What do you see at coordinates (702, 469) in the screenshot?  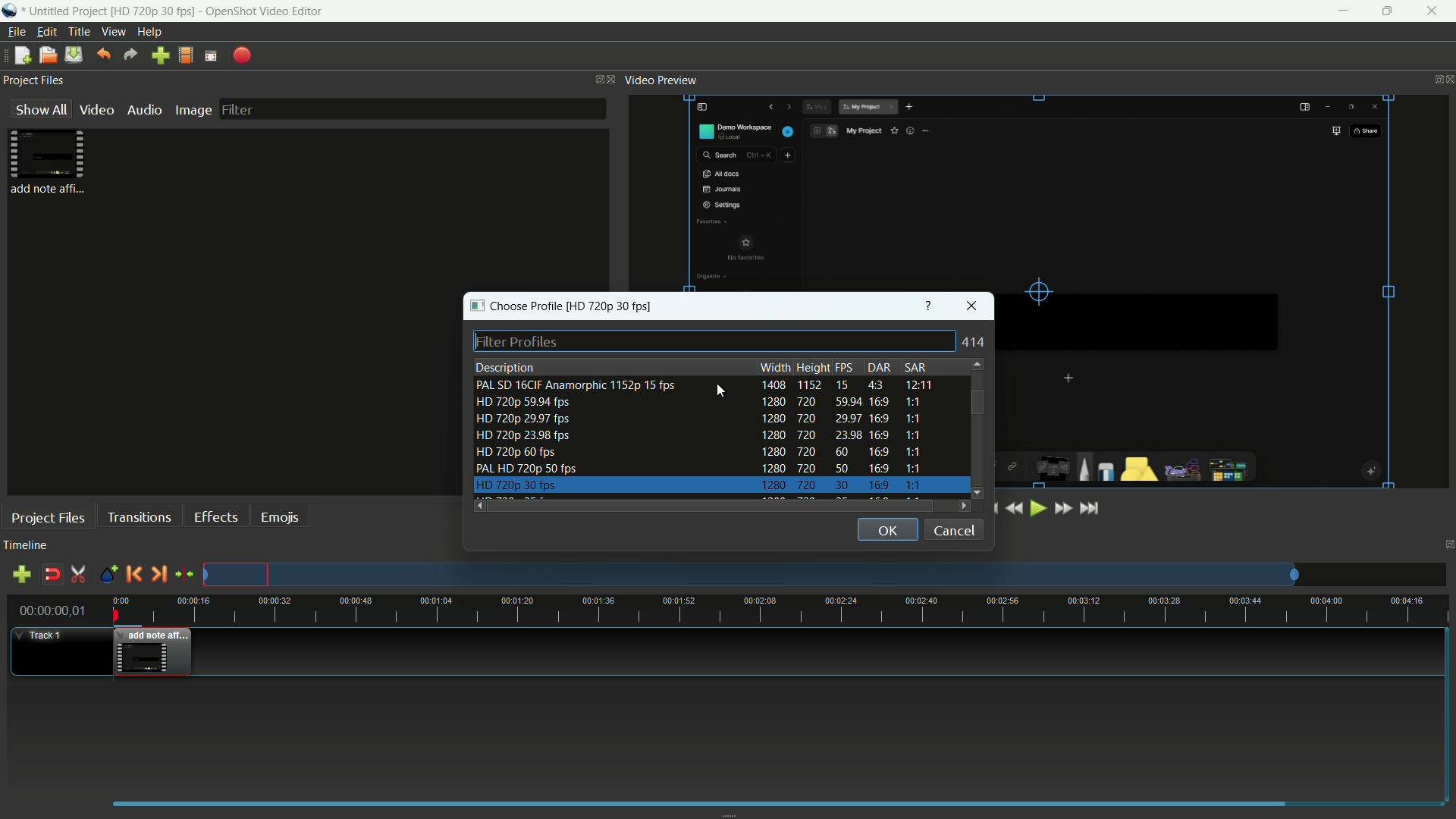 I see `profile-6` at bounding box center [702, 469].